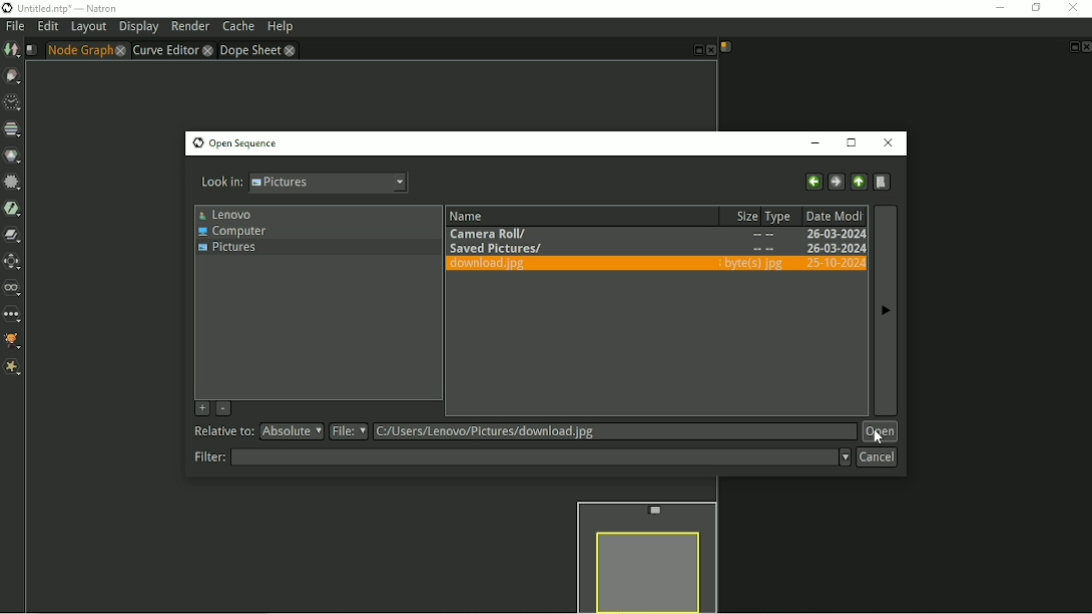  Describe the element at coordinates (508, 215) in the screenshot. I see `Name` at that location.